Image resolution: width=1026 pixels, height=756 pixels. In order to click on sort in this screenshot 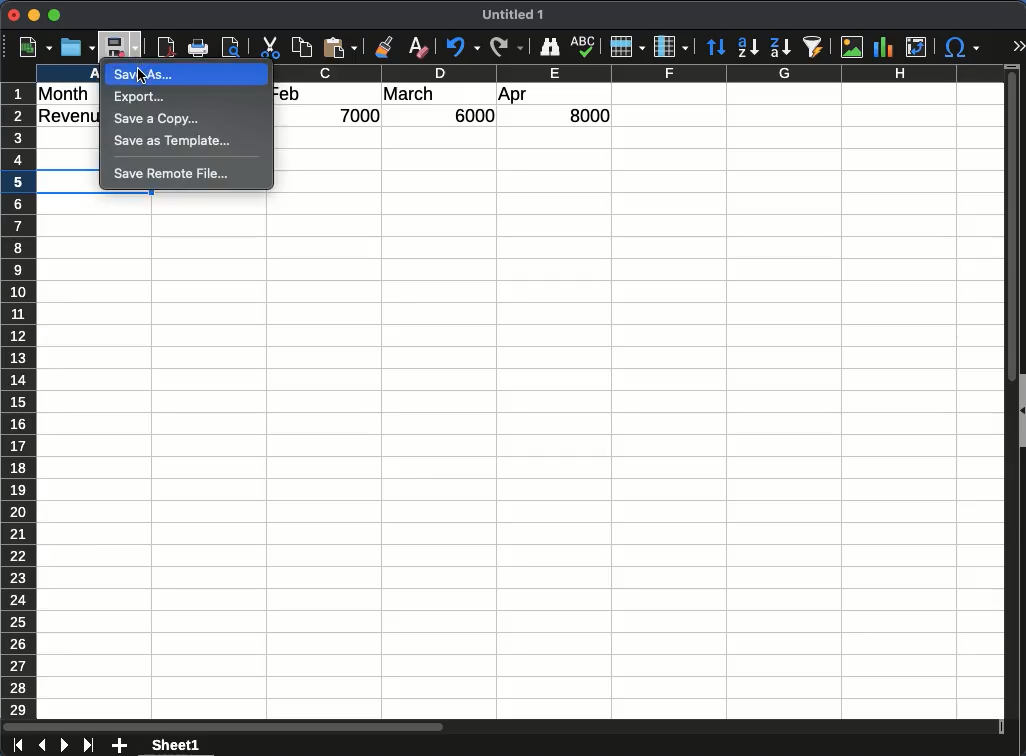, I will do `click(716, 47)`.